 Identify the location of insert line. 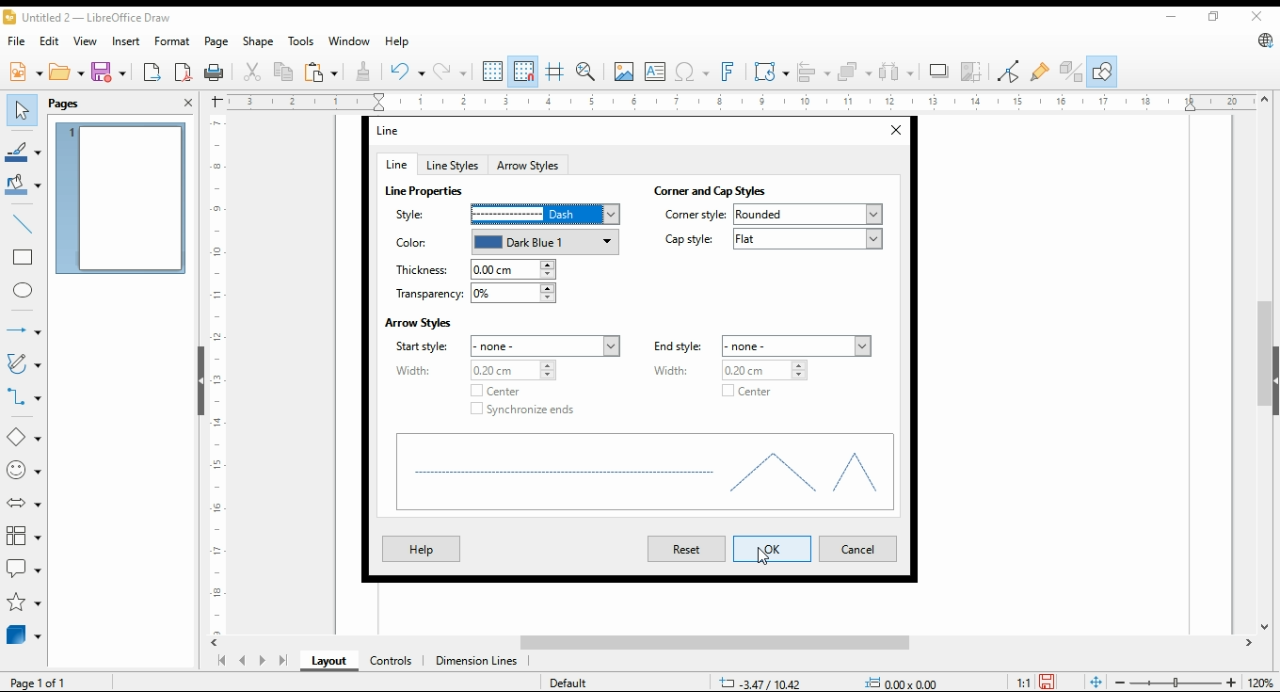
(24, 224).